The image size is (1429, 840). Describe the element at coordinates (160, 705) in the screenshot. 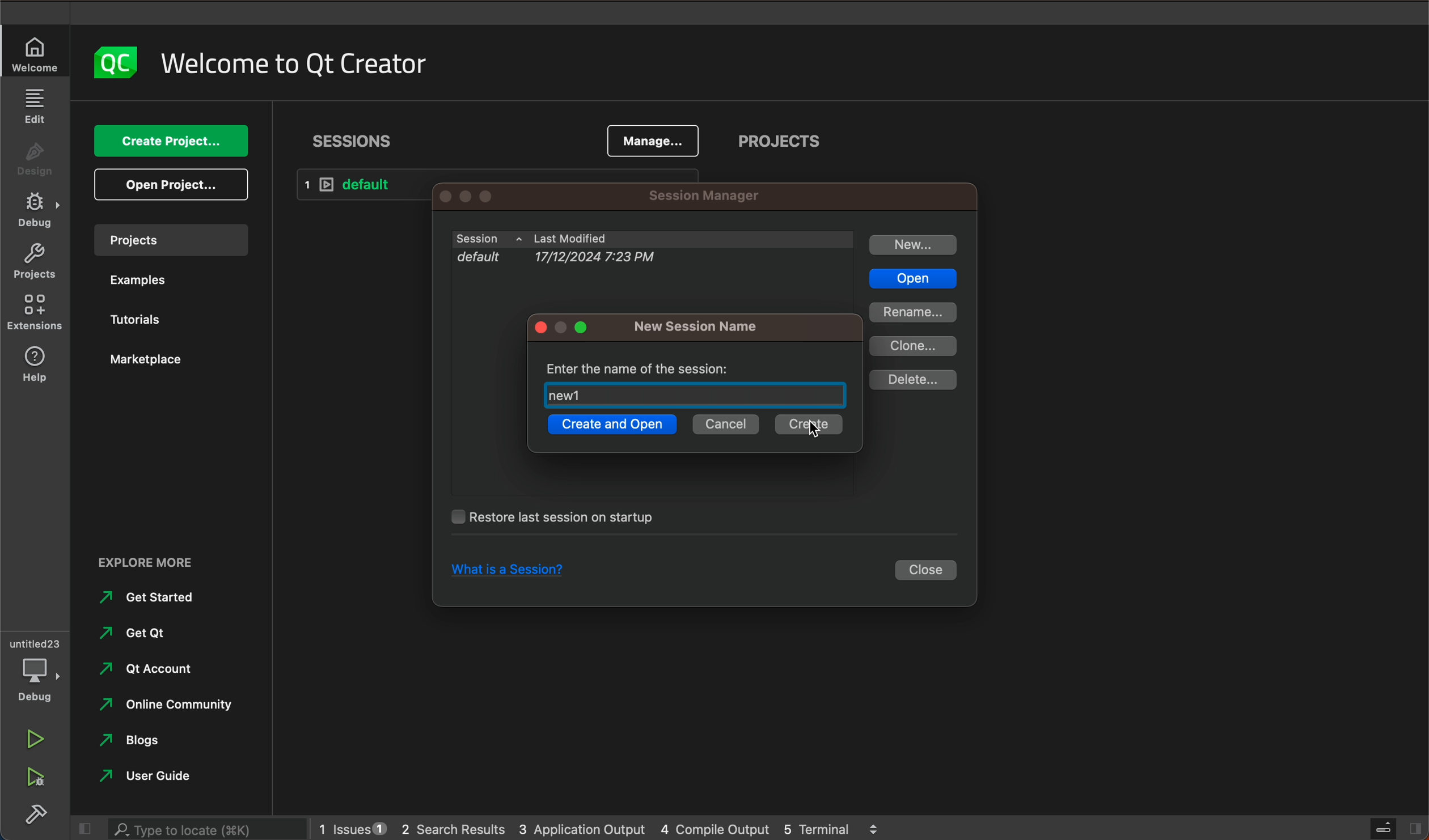

I see `online community` at that location.